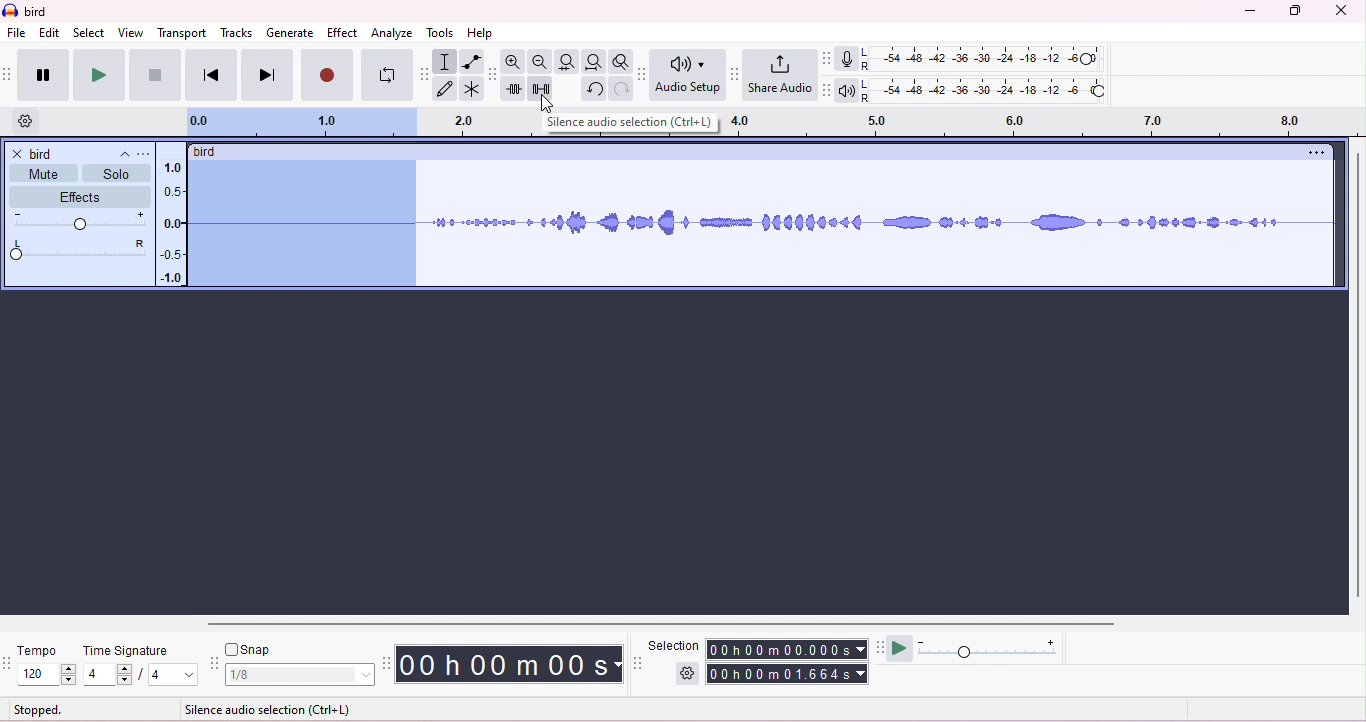  I want to click on view, so click(130, 33).